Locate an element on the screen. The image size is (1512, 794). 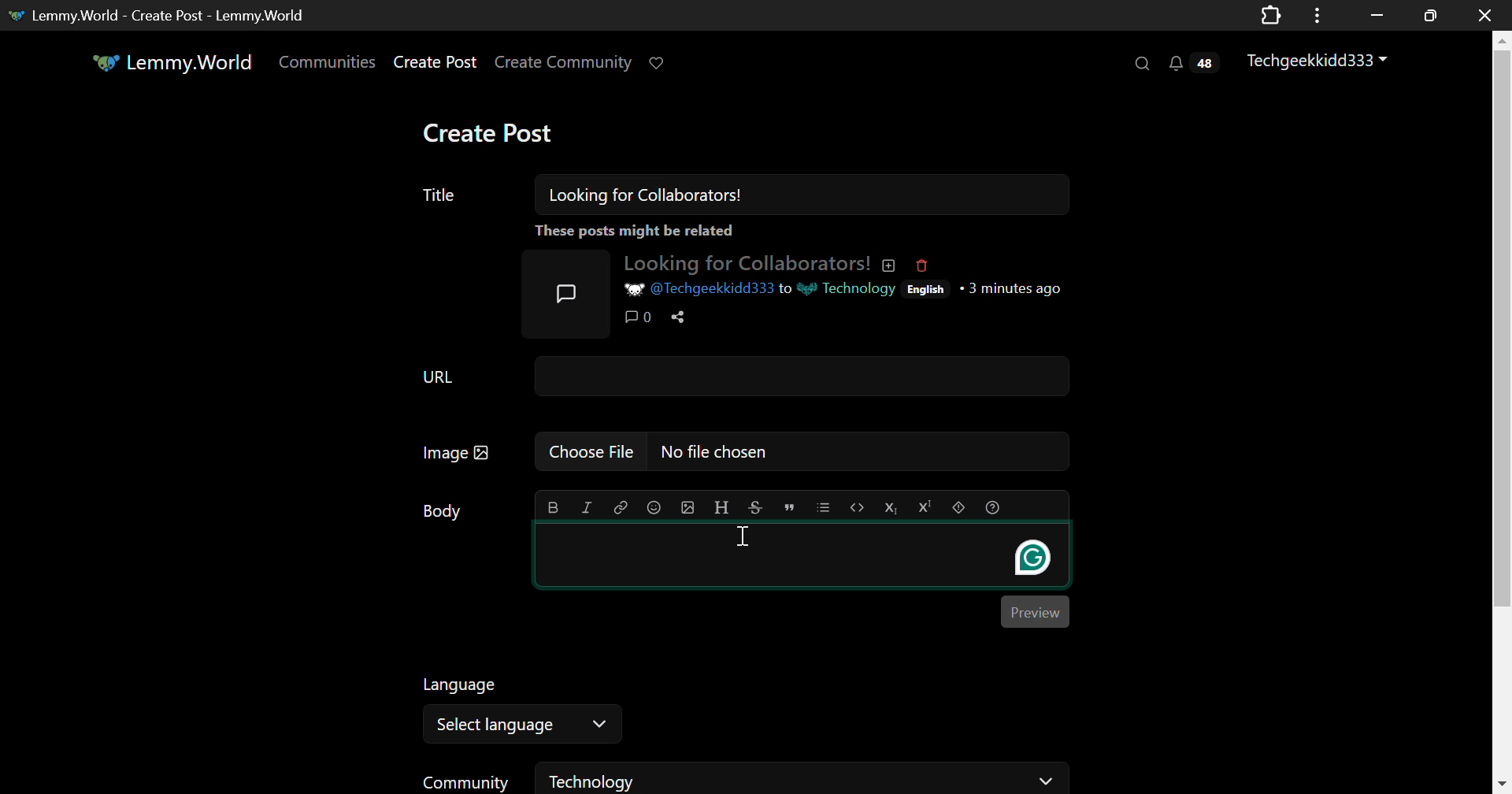
Comments is located at coordinates (638, 317).